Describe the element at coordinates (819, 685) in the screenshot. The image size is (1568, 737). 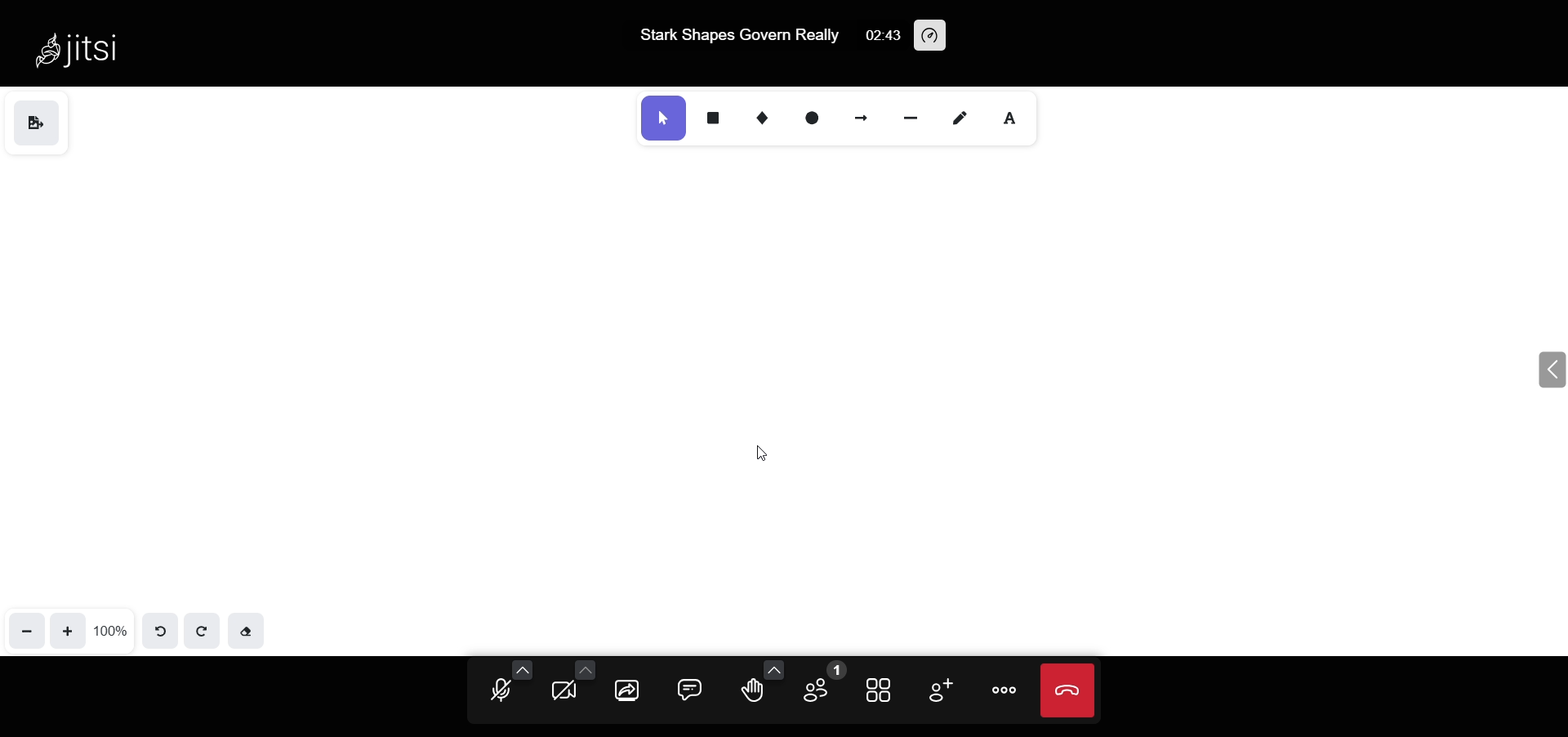
I see `participant` at that location.